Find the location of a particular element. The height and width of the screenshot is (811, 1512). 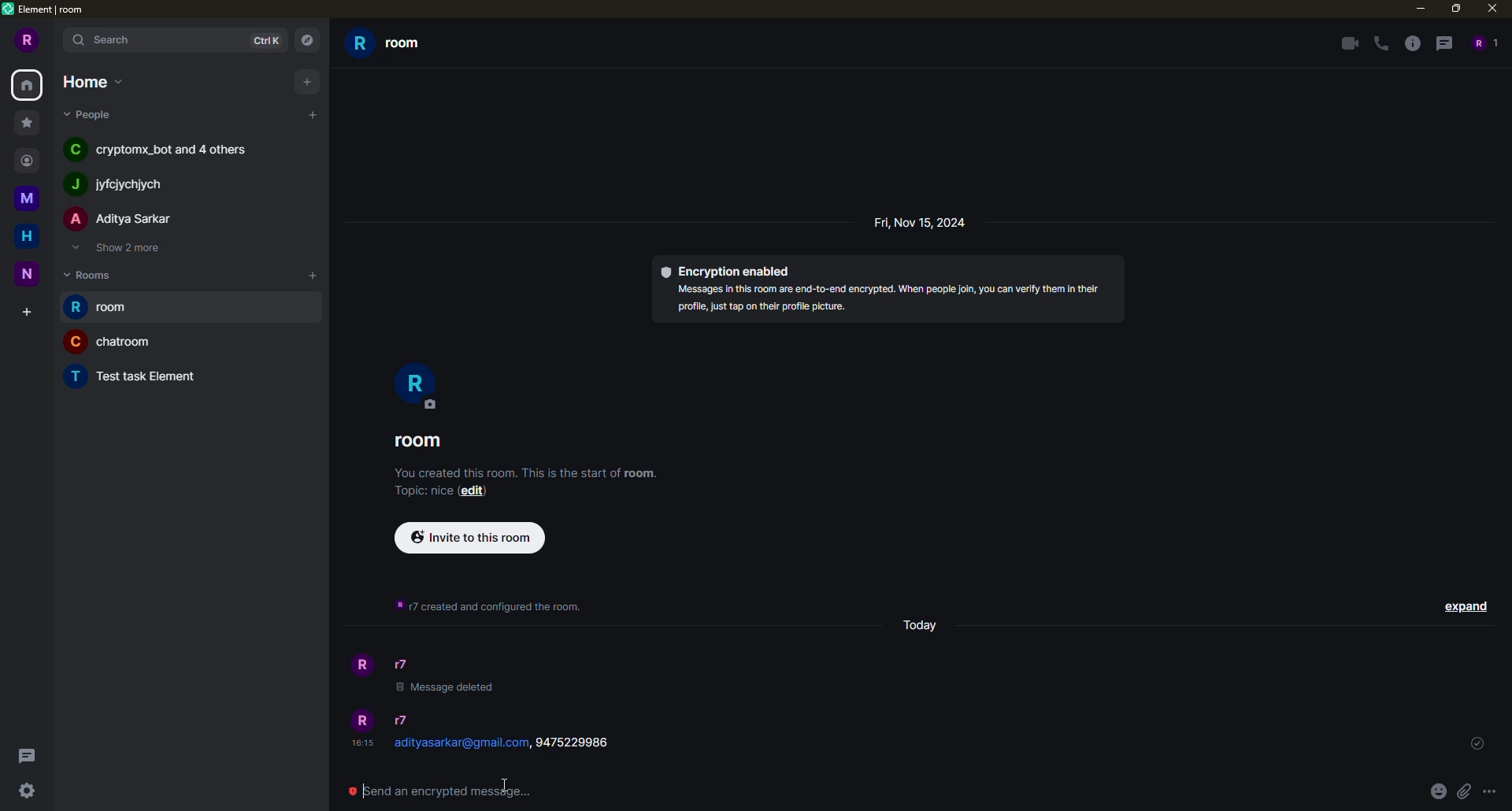

quick settings is located at coordinates (27, 789).